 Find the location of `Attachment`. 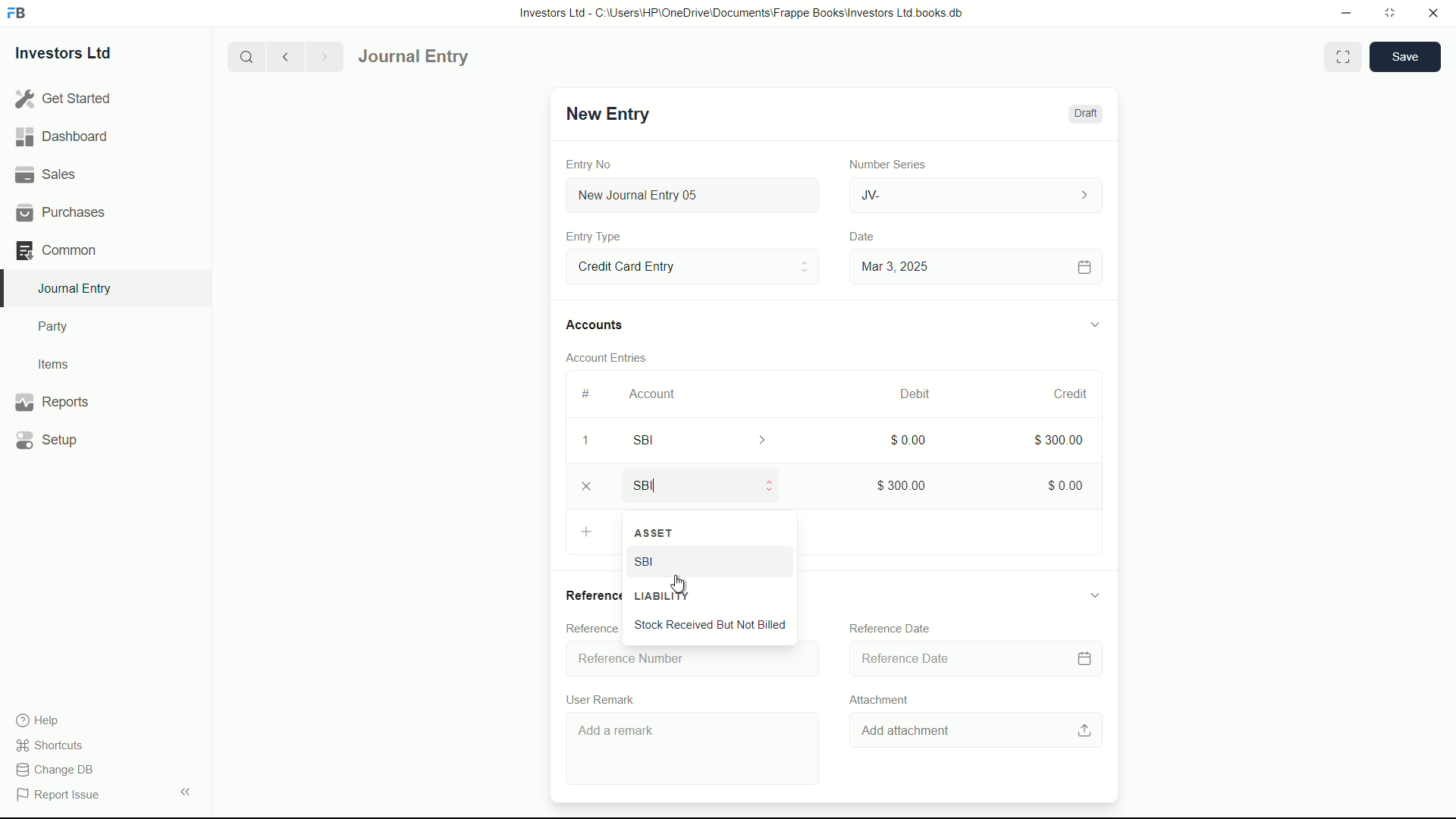

Attachment is located at coordinates (878, 699).